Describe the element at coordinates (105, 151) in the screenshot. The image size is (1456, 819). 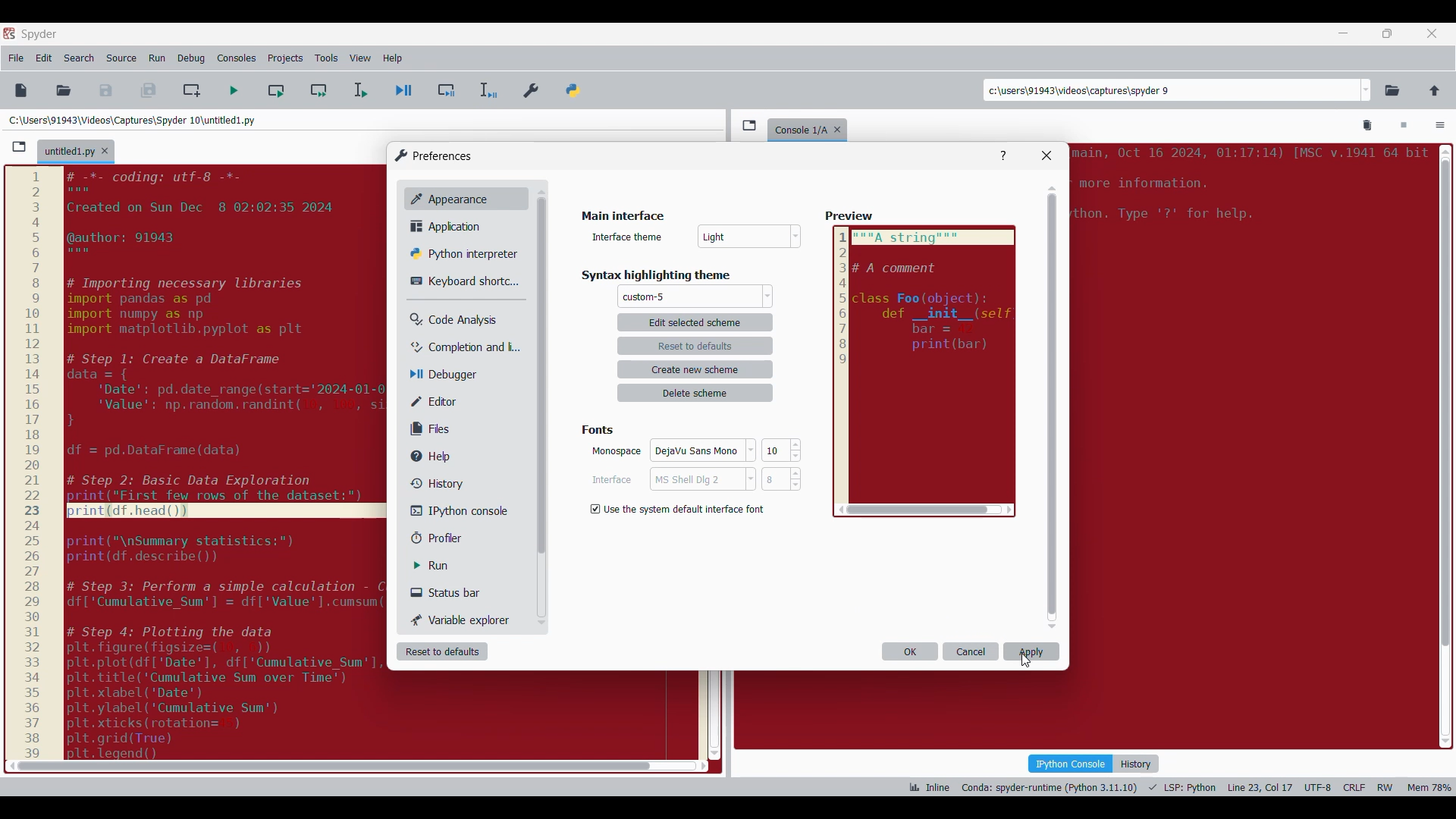
I see `Close tab` at that location.